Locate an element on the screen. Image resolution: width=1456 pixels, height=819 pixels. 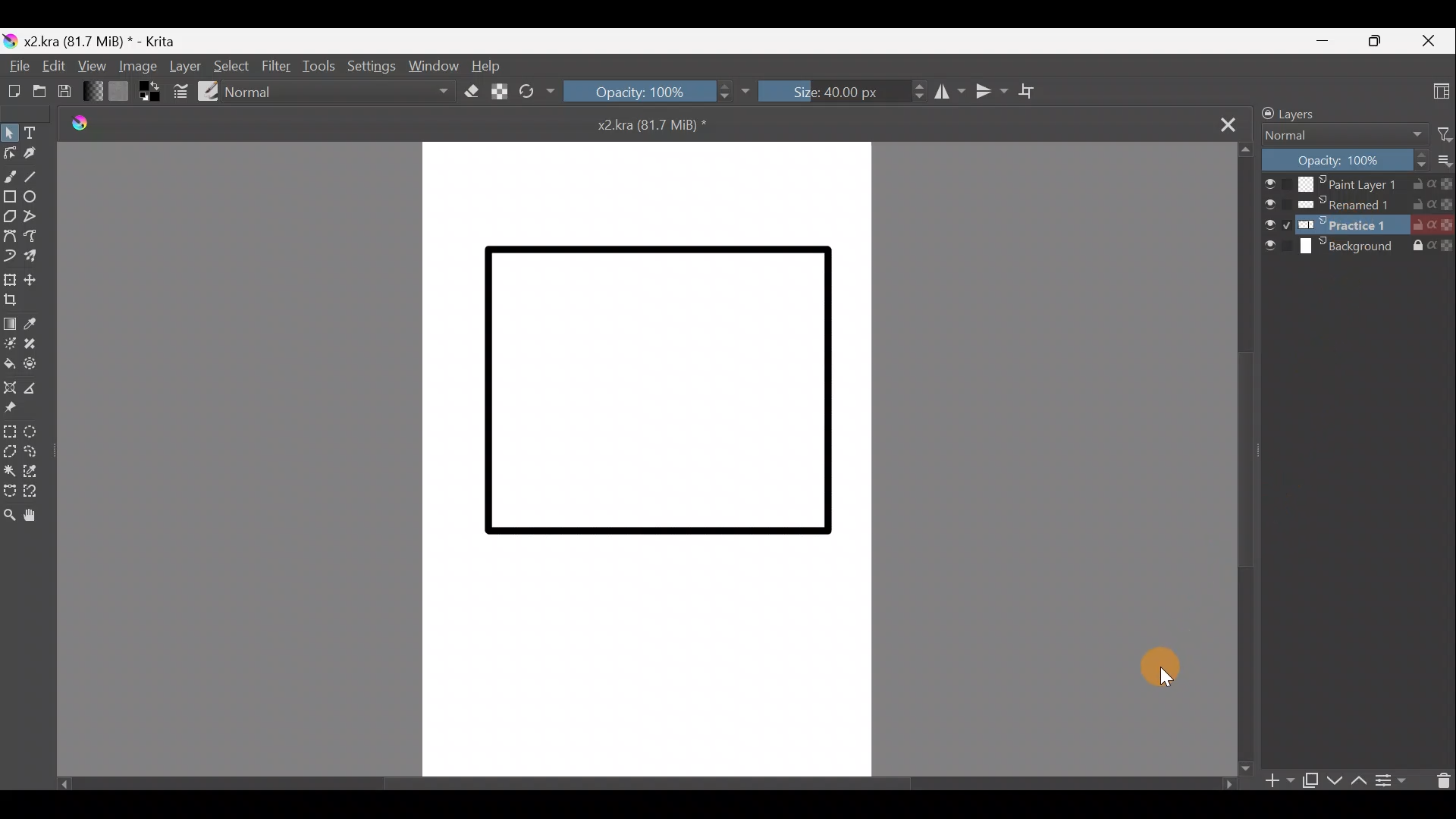
Add layer is located at coordinates (1276, 784).